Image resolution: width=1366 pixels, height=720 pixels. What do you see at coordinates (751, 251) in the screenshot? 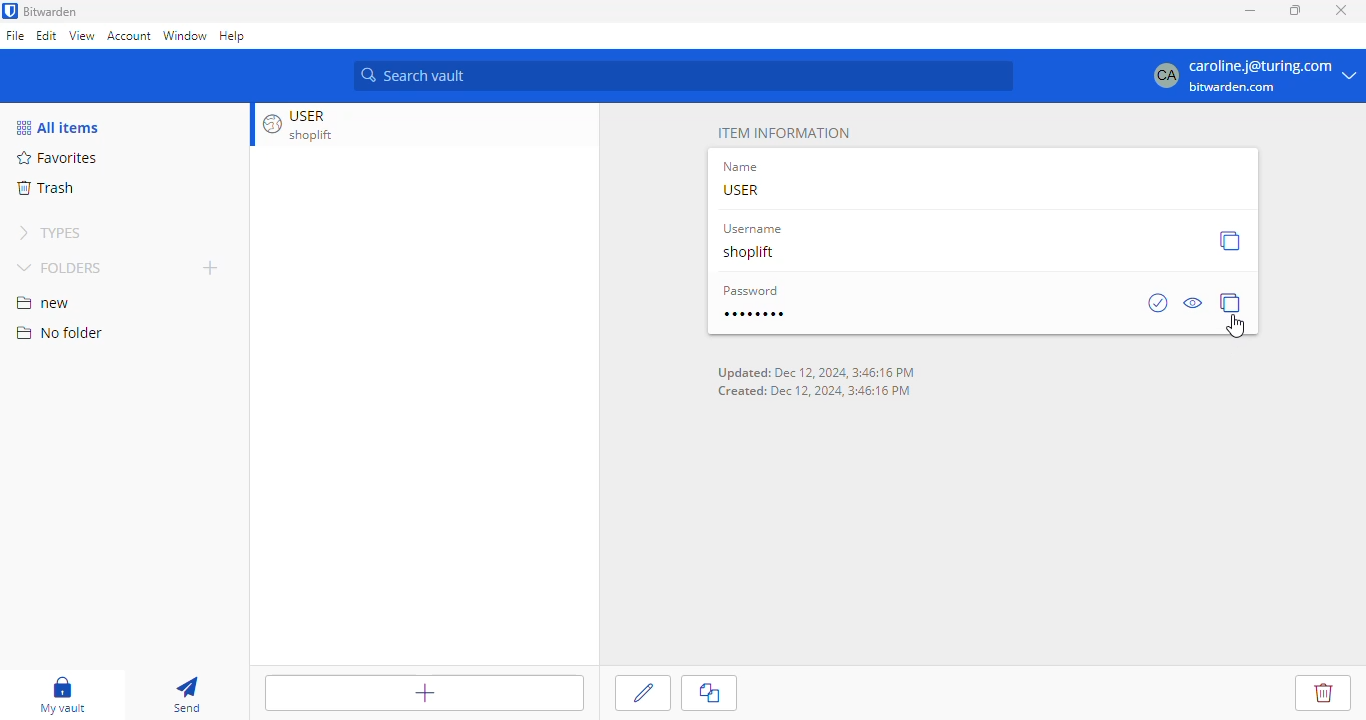
I see `shoplift` at bounding box center [751, 251].